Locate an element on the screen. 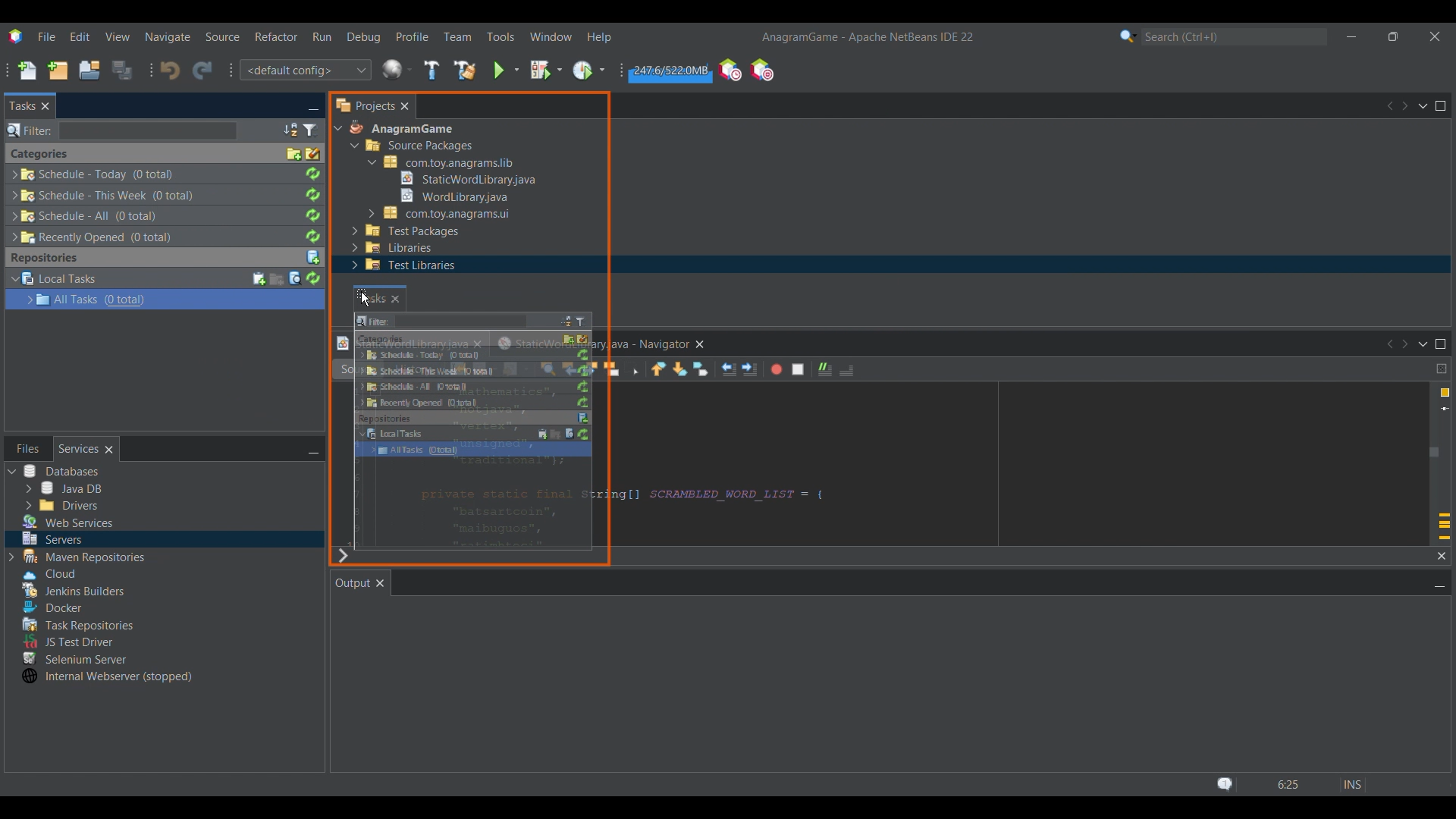 The height and width of the screenshot is (819, 1456). Add override annotation is located at coordinates (1444, 527).